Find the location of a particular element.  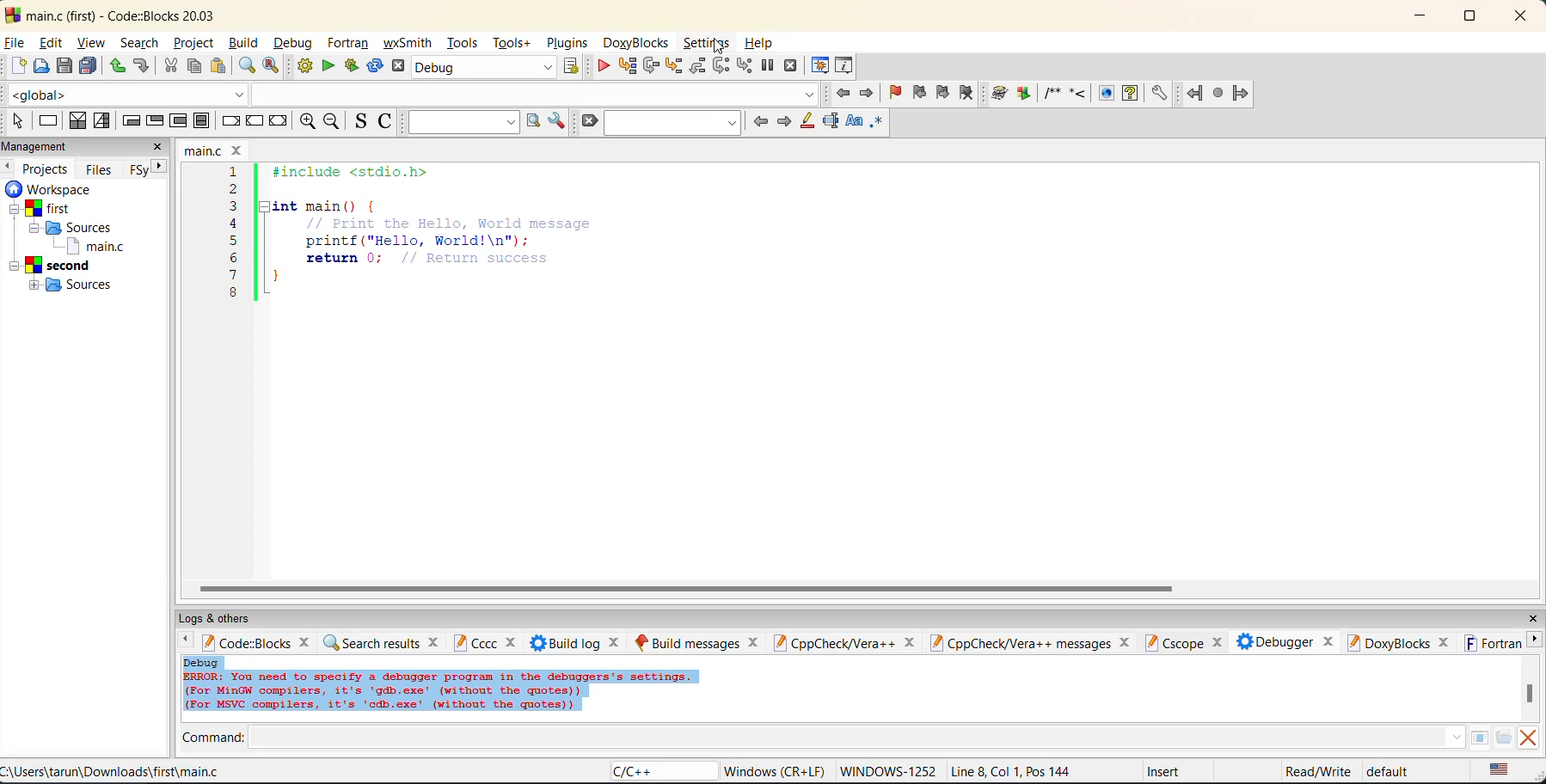

highlight is located at coordinates (809, 123).